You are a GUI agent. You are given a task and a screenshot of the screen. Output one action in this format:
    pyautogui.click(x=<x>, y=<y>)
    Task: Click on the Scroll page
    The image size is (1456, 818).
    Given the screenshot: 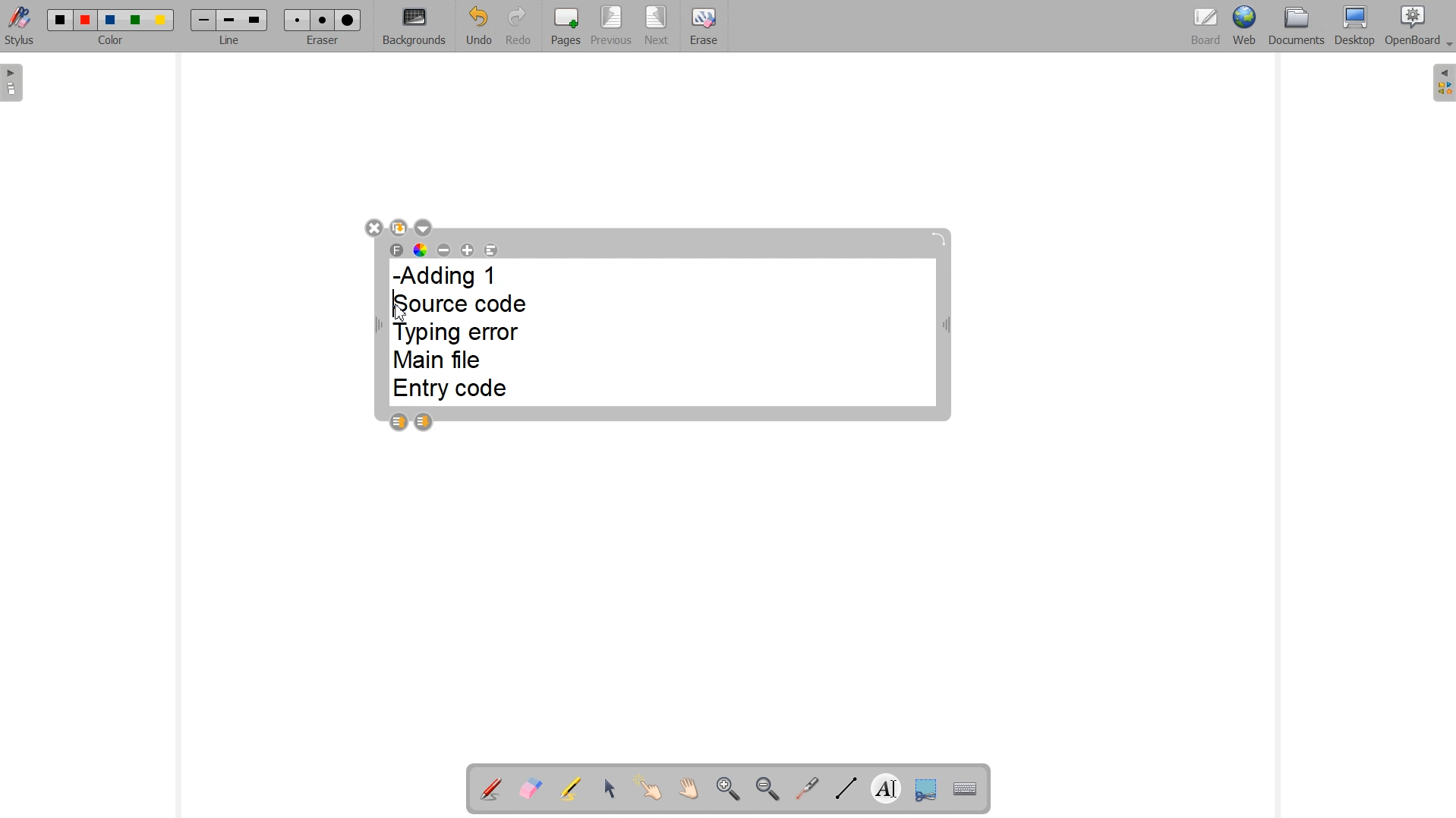 What is the action you would take?
    pyautogui.click(x=689, y=790)
    